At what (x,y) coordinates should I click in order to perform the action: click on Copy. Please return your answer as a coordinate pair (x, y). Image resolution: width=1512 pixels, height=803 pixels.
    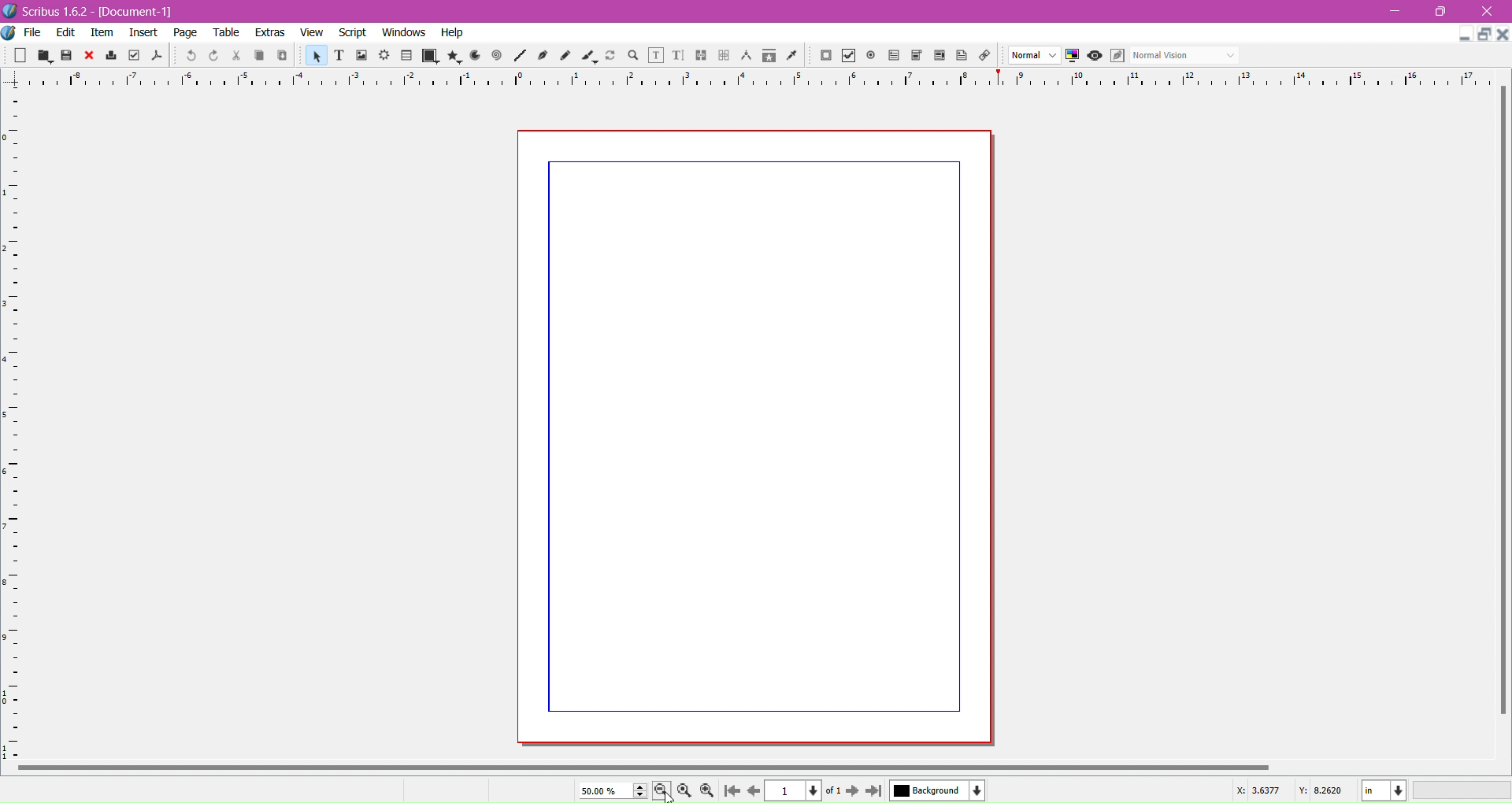
    Looking at the image, I should click on (259, 56).